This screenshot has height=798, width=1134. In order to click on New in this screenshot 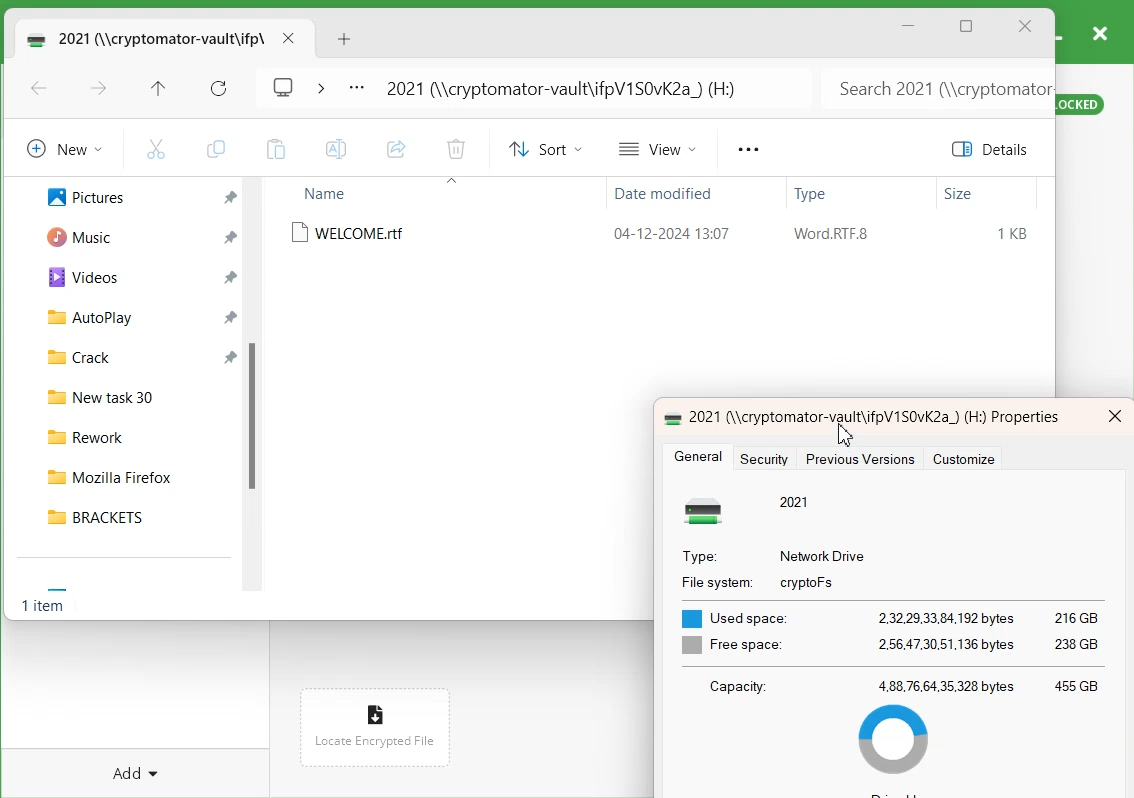, I will do `click(61, 148)`.